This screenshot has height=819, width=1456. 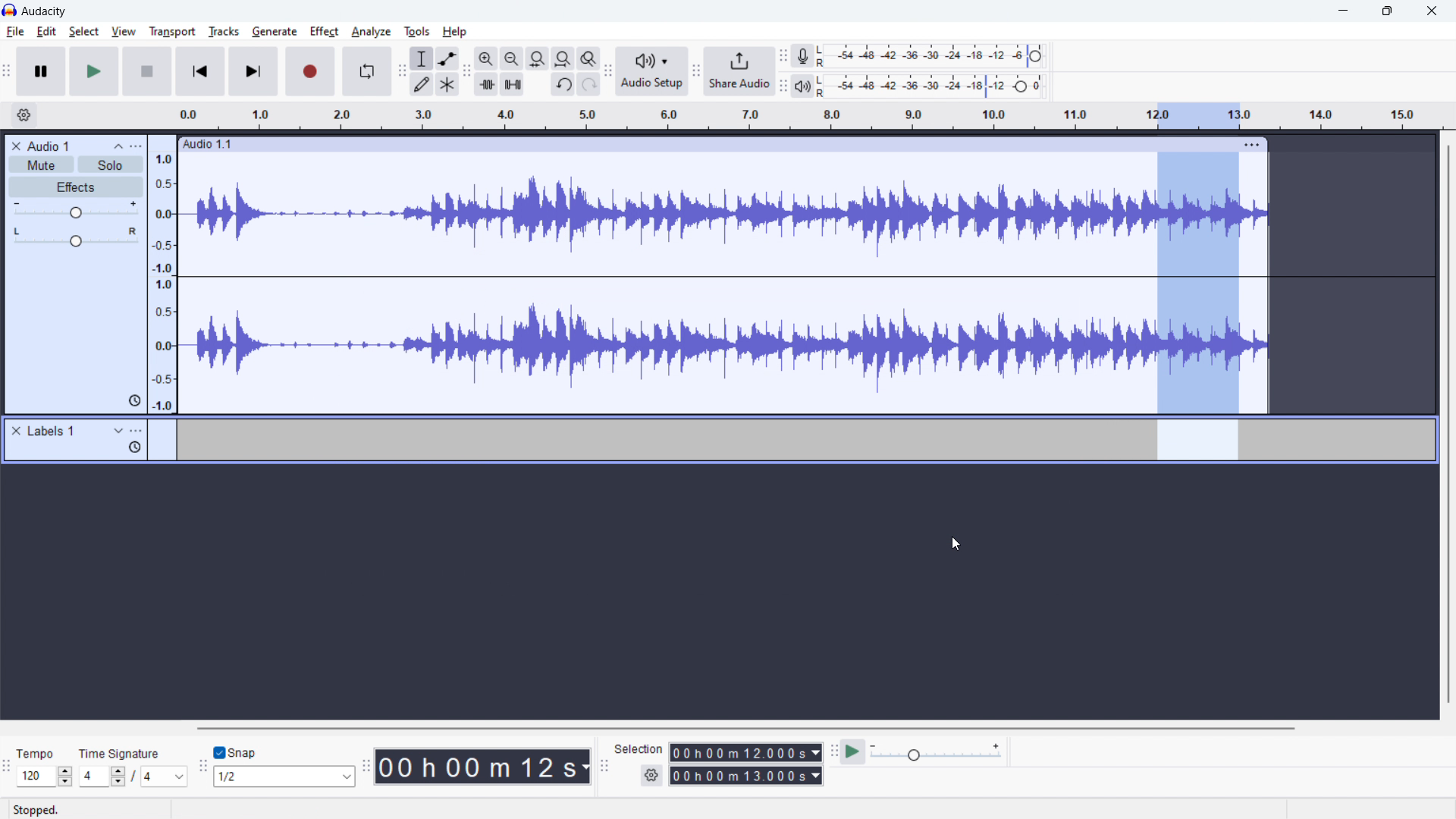 What do you see at coordinates (8, 74) in the screenshot?
I see `transport toolbar` at bounding box center [8, 74].